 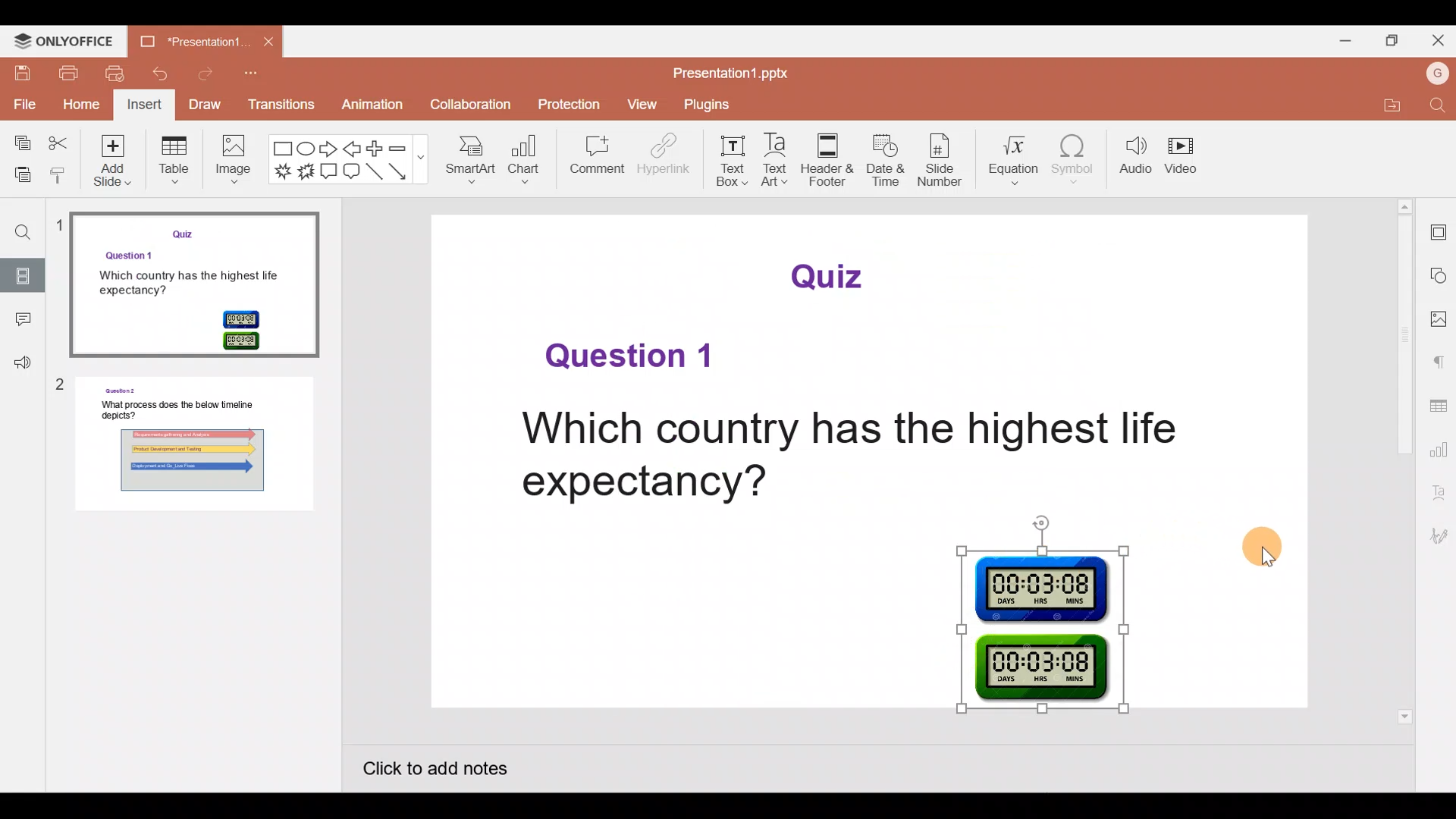 I want to click on Cursor, so click(x=1262, y=543).